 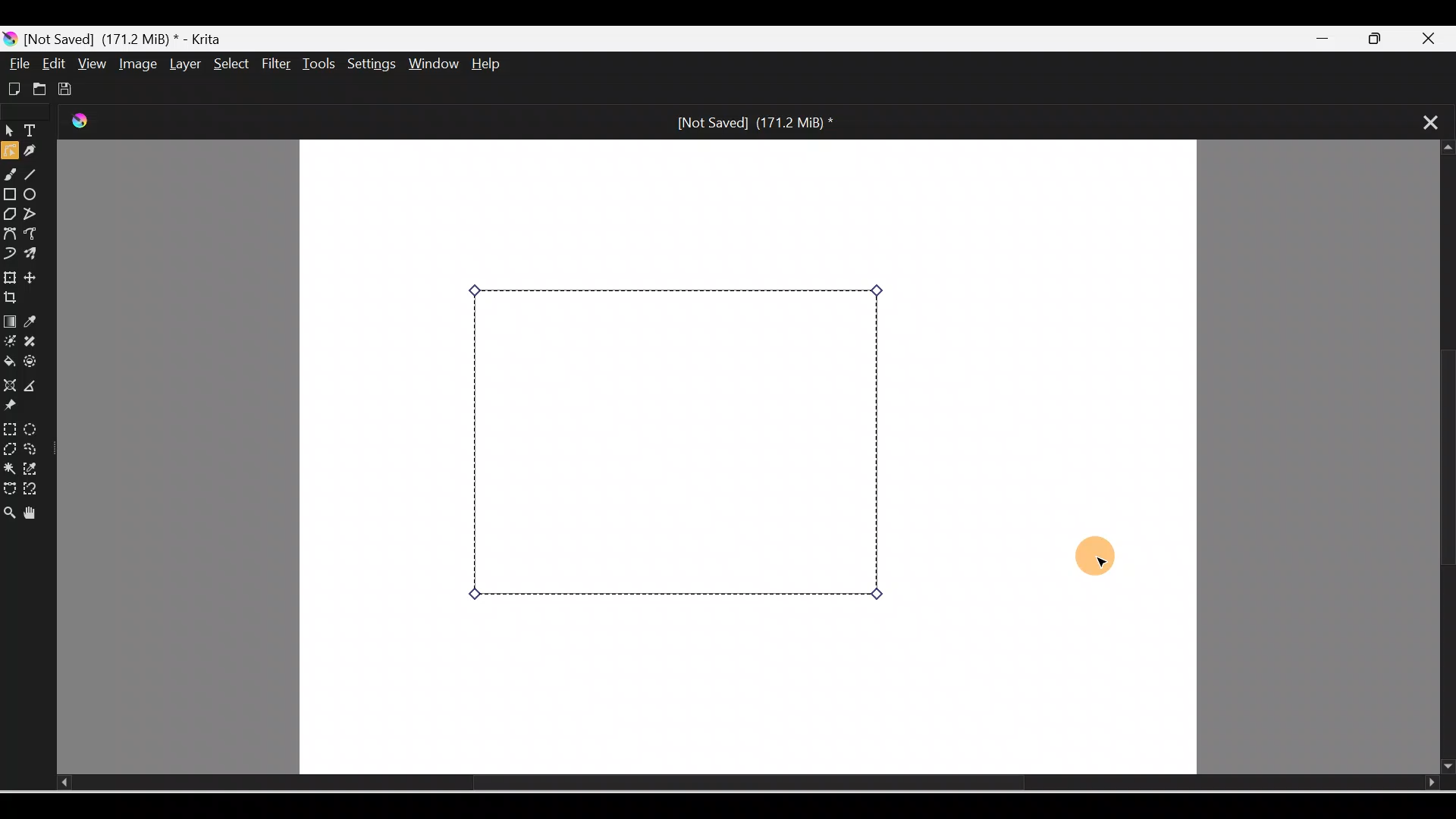 I want to click on Elliptical selection tool, so click(x=31, y=427).